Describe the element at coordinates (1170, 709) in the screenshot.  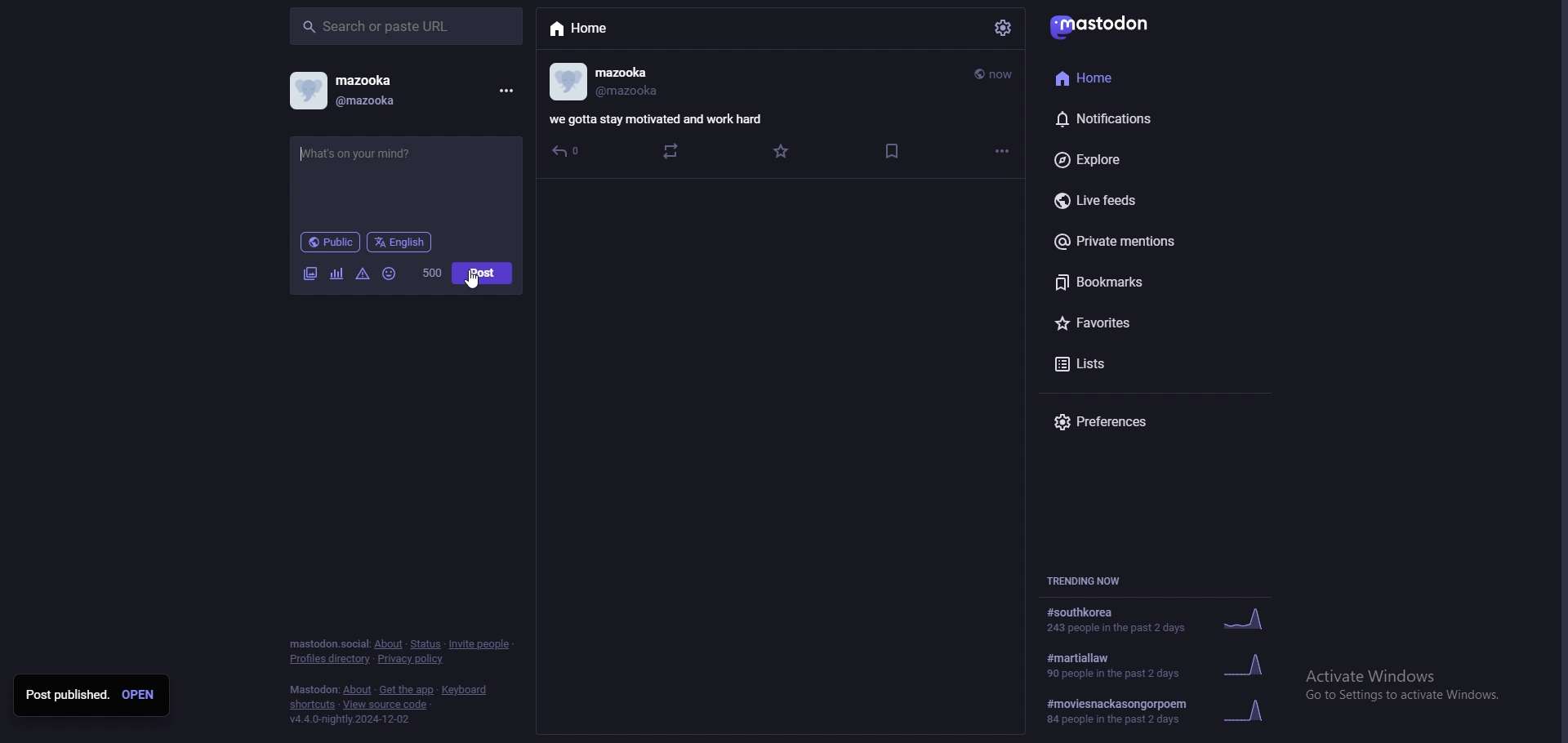
I see `#moviesnackasongorpoem` at that location.